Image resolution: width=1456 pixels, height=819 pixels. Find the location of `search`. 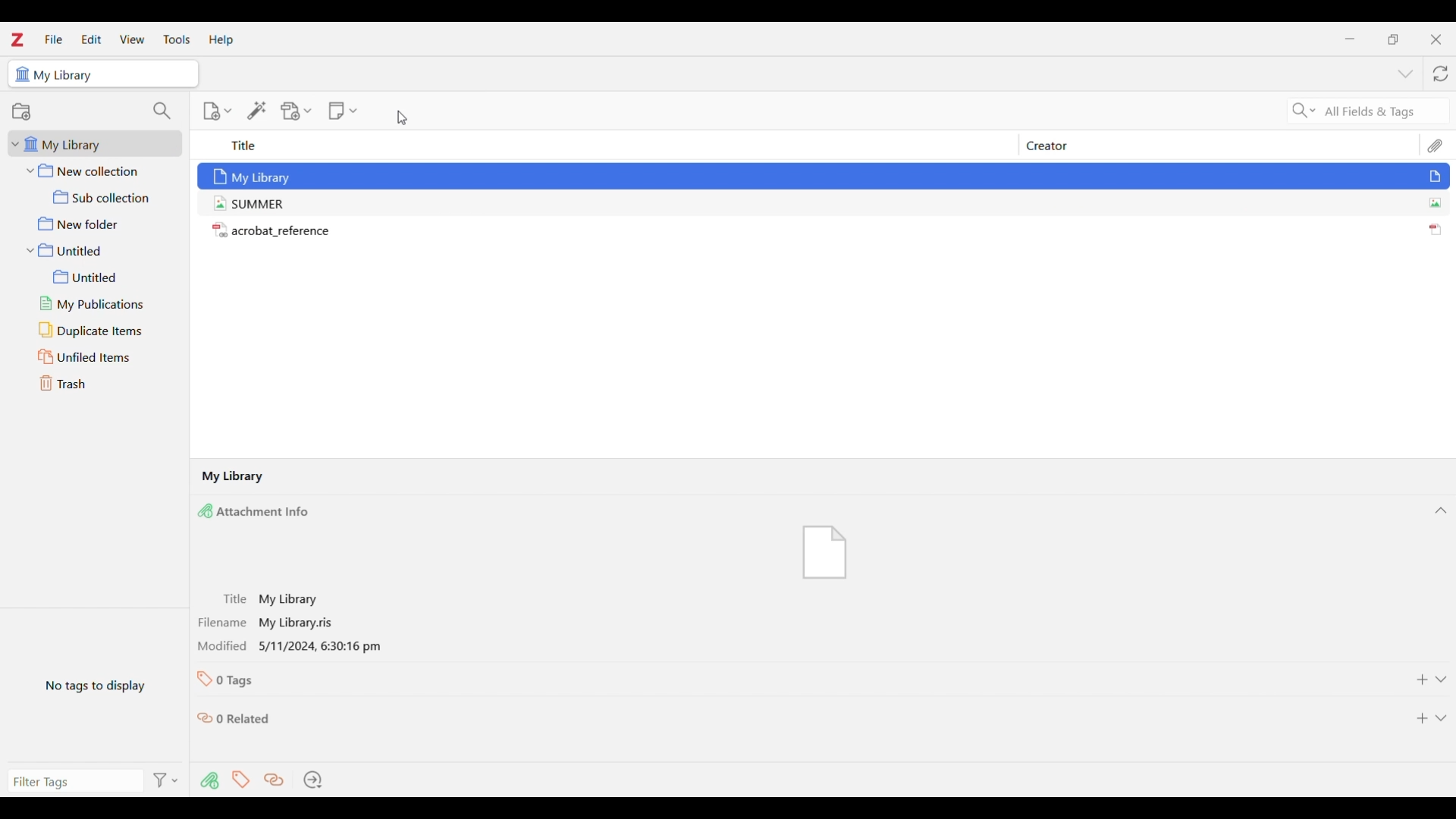

search is located at coordinates (162, 109).